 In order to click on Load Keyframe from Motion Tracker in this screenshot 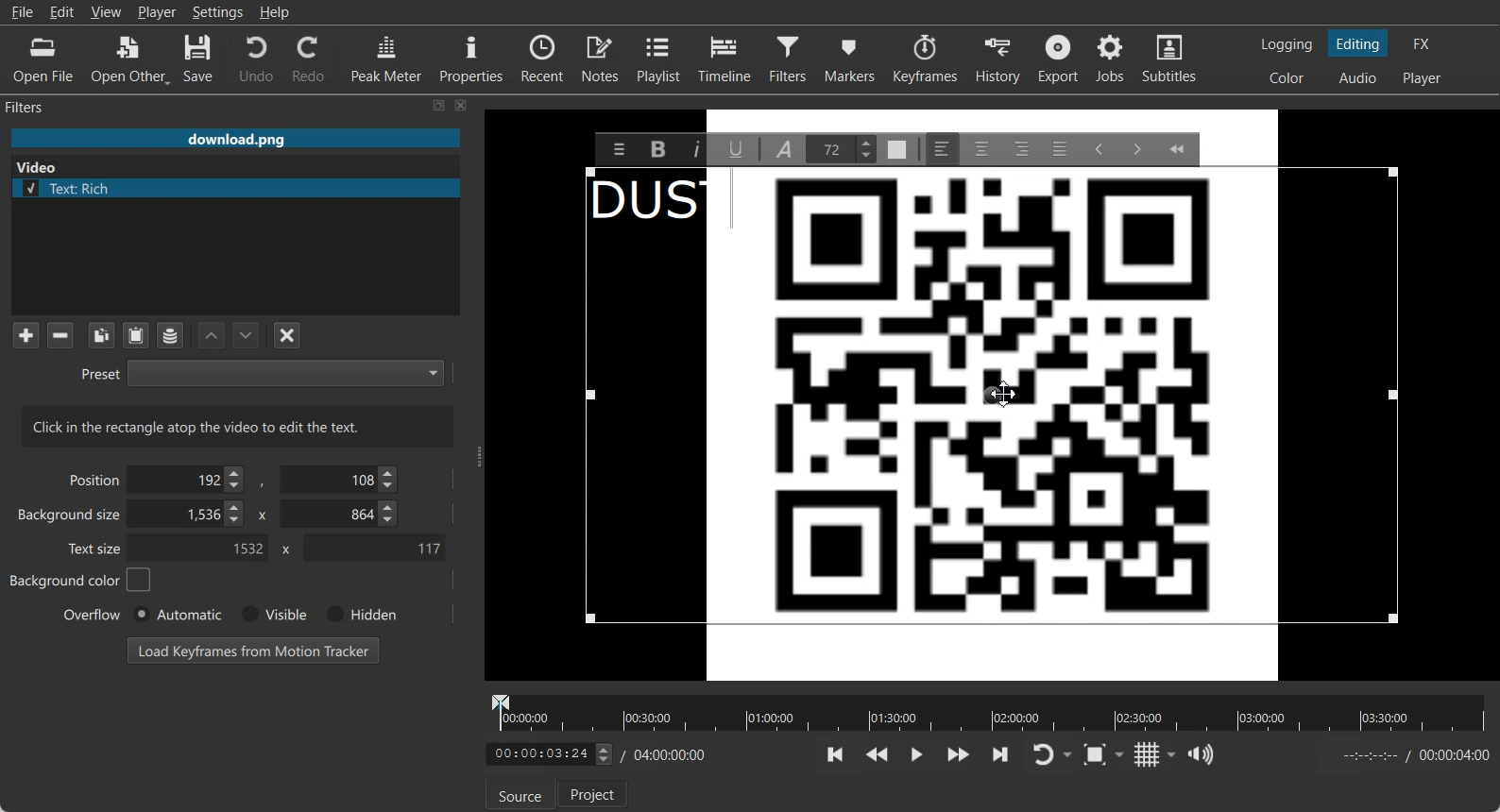, I will do `click(253, 650)`.